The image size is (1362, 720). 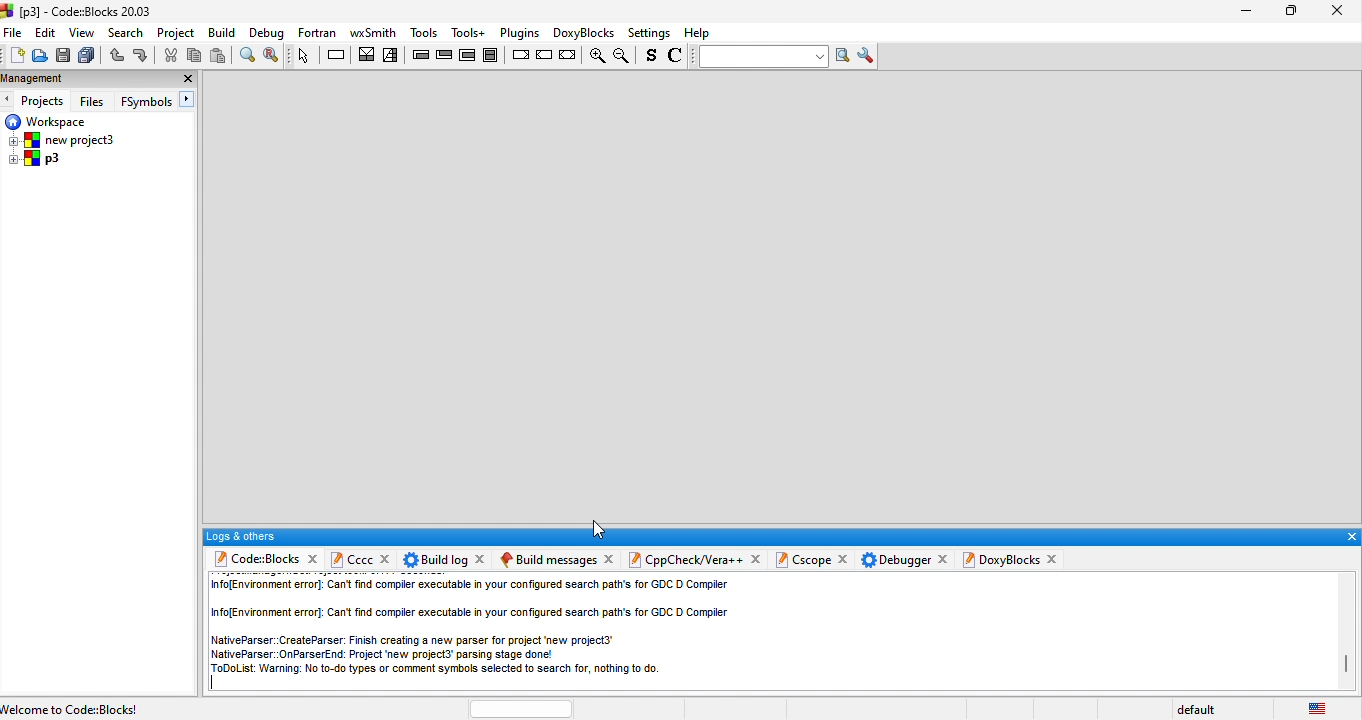 What do you see at coordinates (1346, 665) in the screenshot?
I see `vertical scroll down` at bounding box center [1346, 665].